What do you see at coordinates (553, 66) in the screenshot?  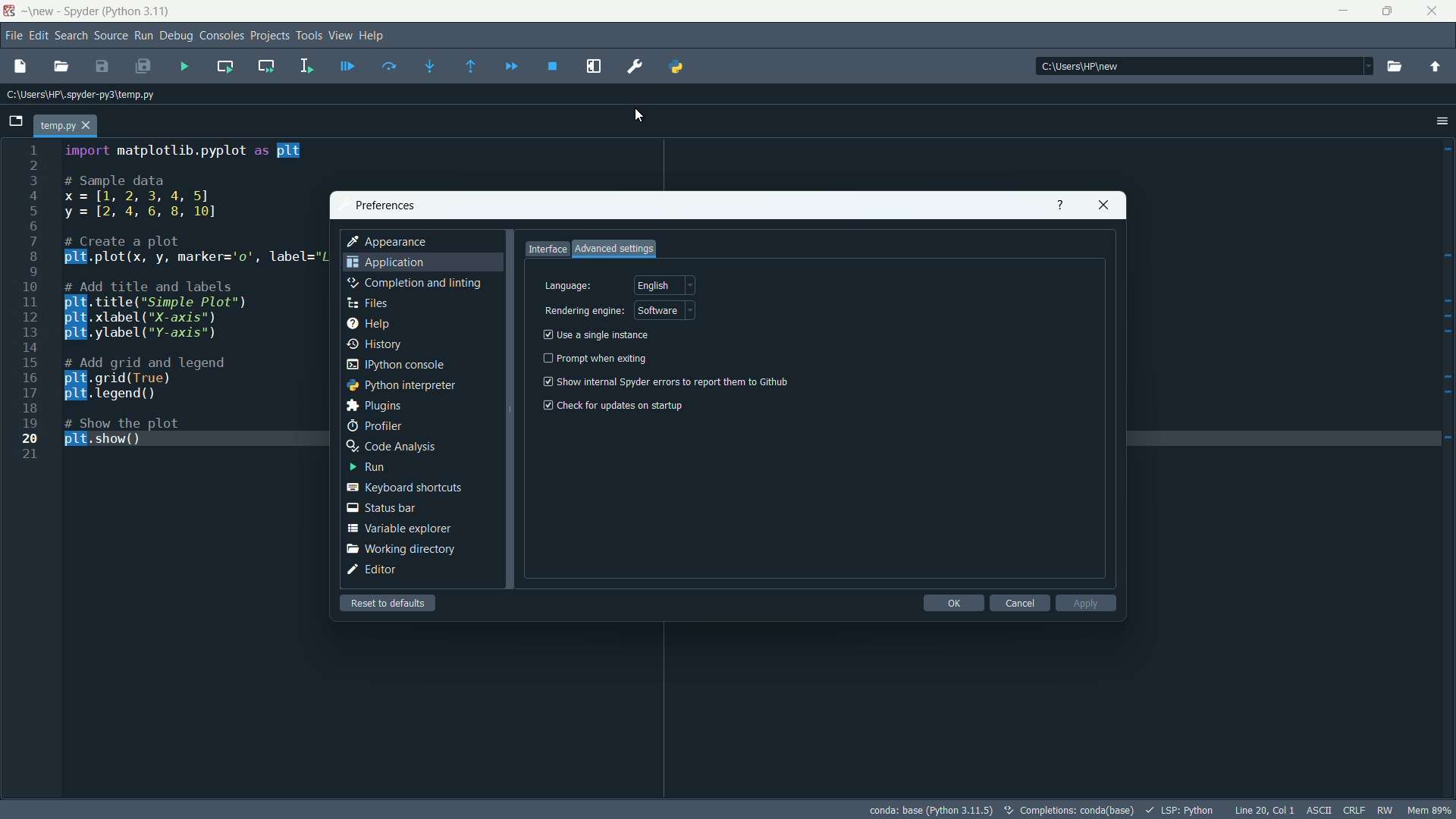 I see `stop debugging` at bounding box center [553, 66].